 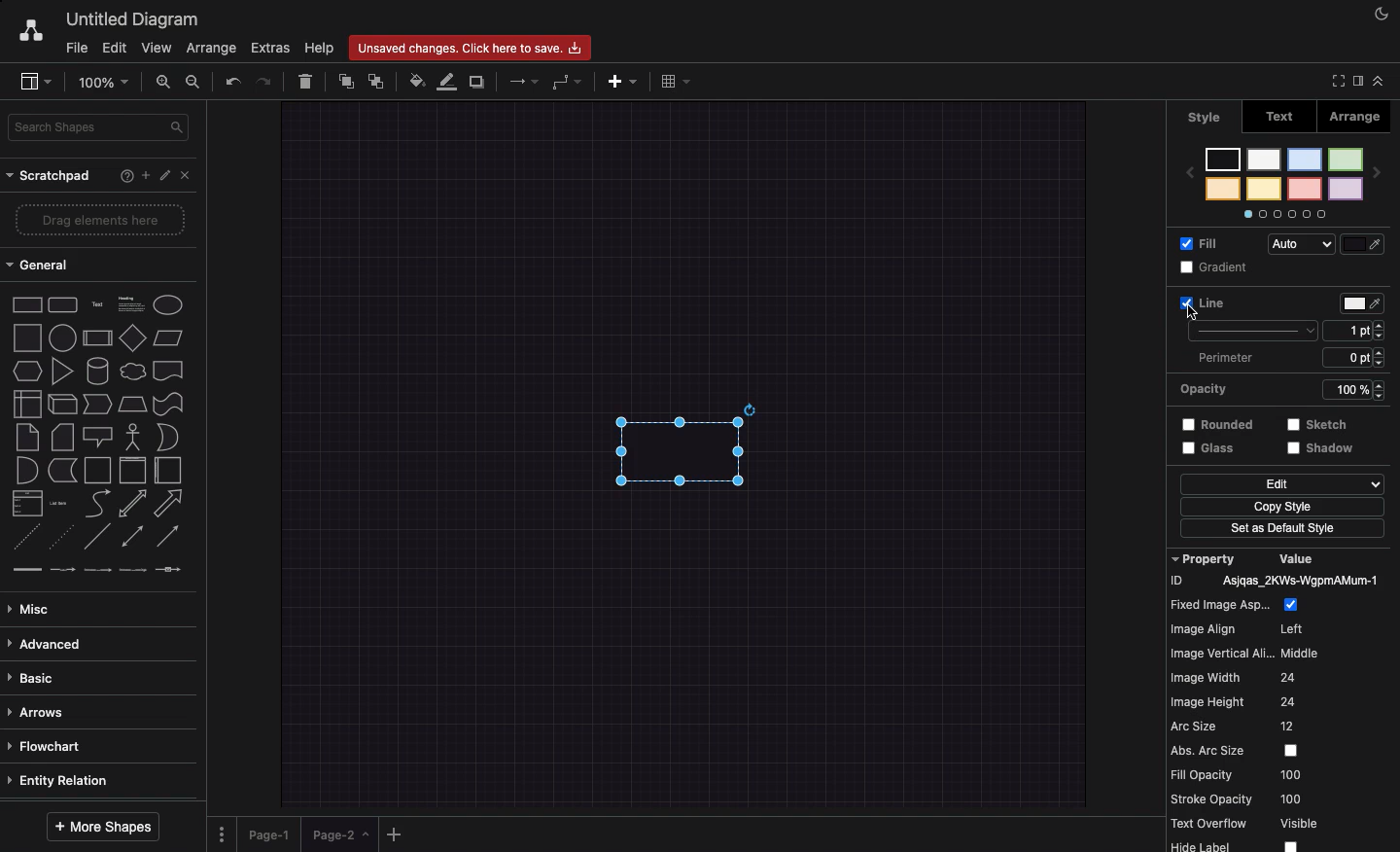 What do you see at coordinates (1287, 388) in the screenshot?
I see `Opacity ` at bounding box center [1287, 388].